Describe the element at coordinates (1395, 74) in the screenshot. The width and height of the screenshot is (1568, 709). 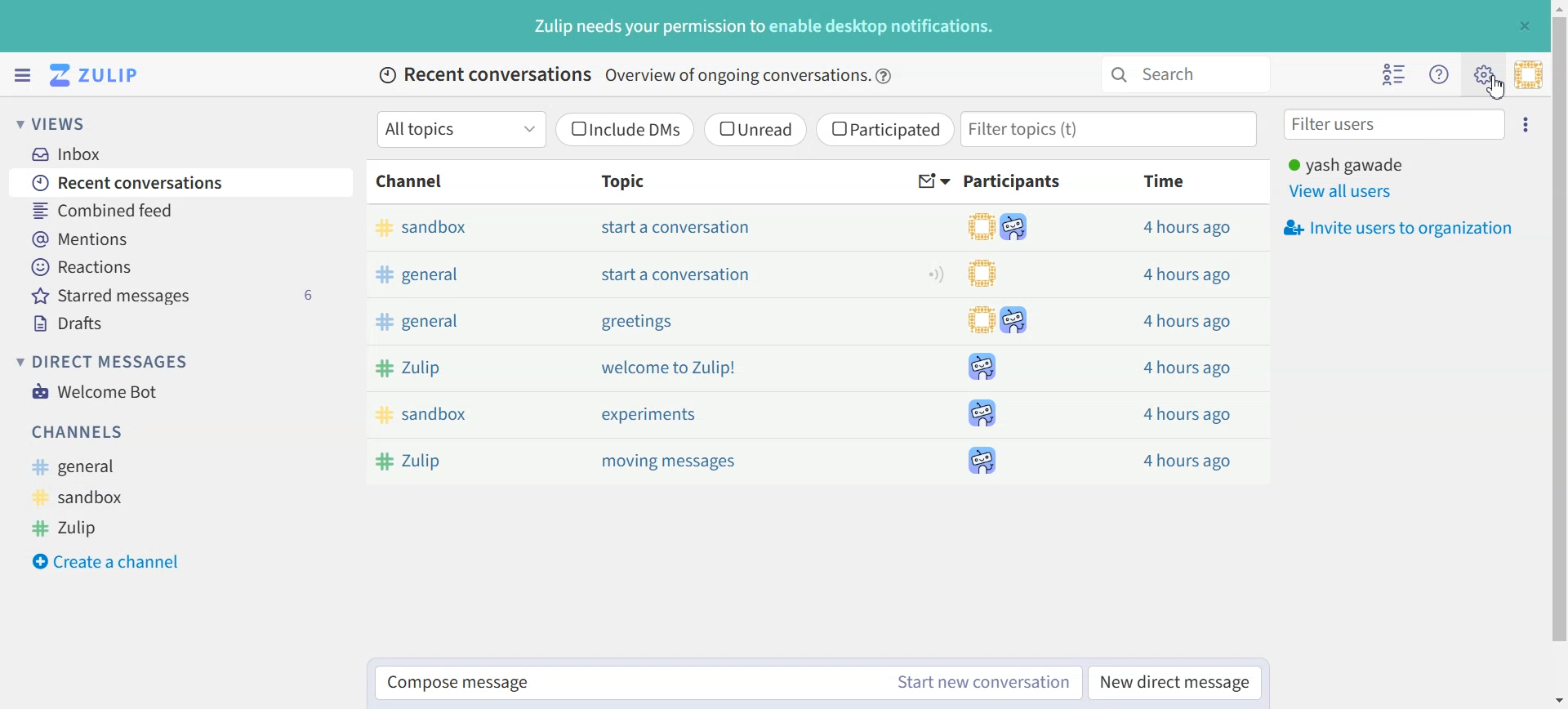
I see `Hide user list` at that location.